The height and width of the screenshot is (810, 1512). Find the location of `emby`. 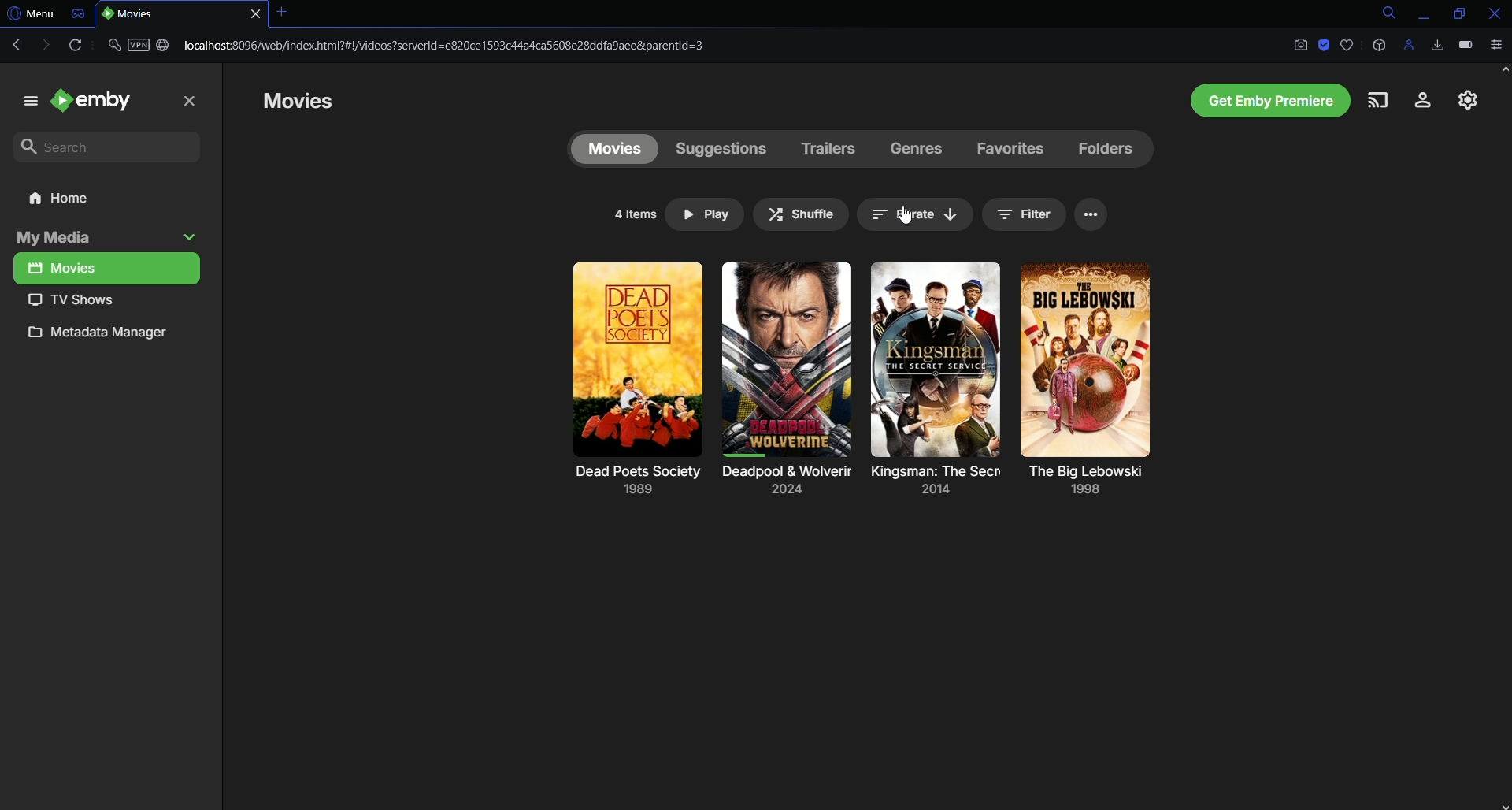

emby is located at coordinates (100, 98).